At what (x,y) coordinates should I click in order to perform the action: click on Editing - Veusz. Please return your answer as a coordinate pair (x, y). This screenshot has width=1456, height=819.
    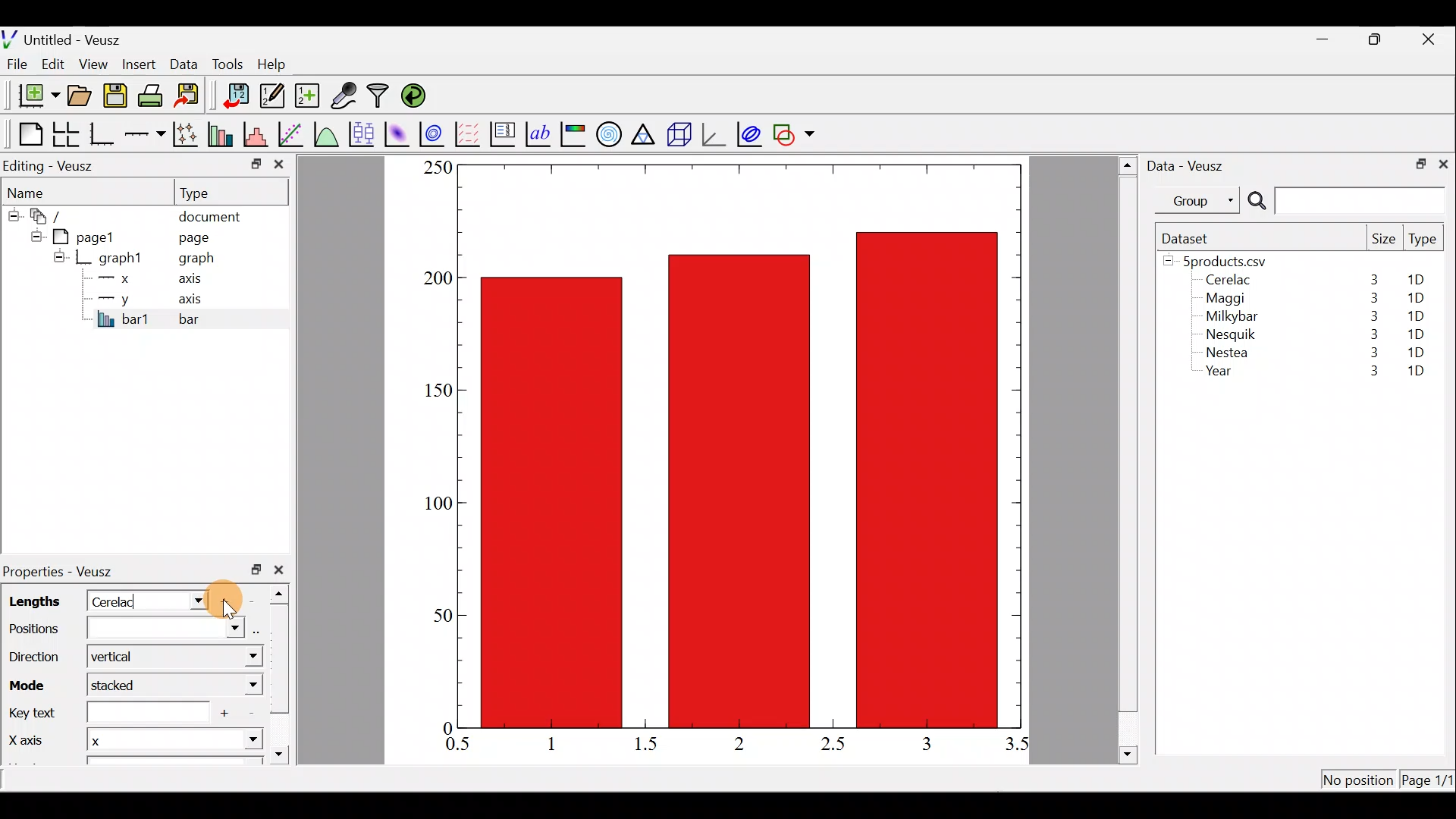
    Looking at the image, I should click on (52, 165).